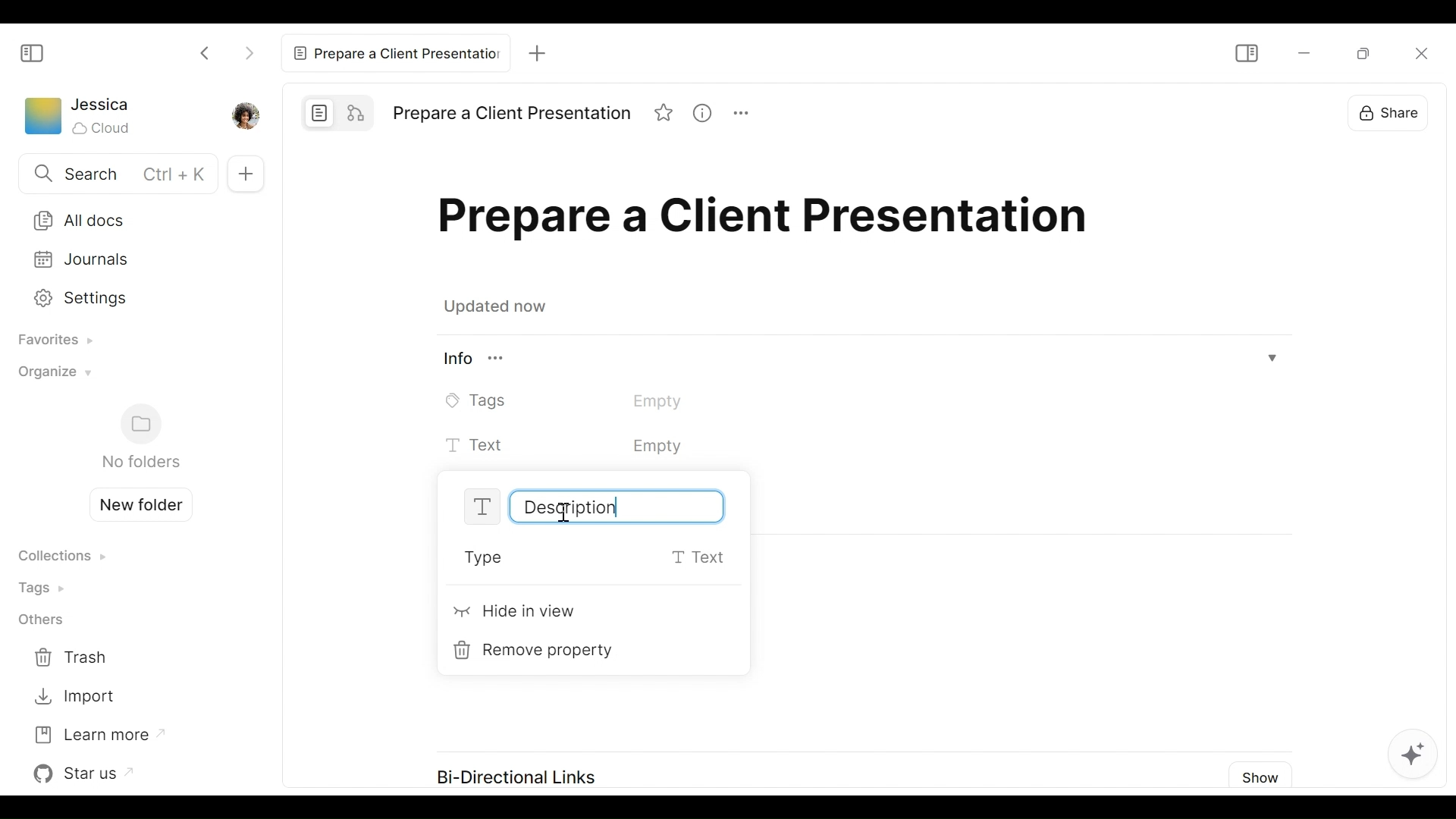  Describe the element at coordinates (1245, 53) in the screenshot. I see `Show/Hide Sidebar` at that location.